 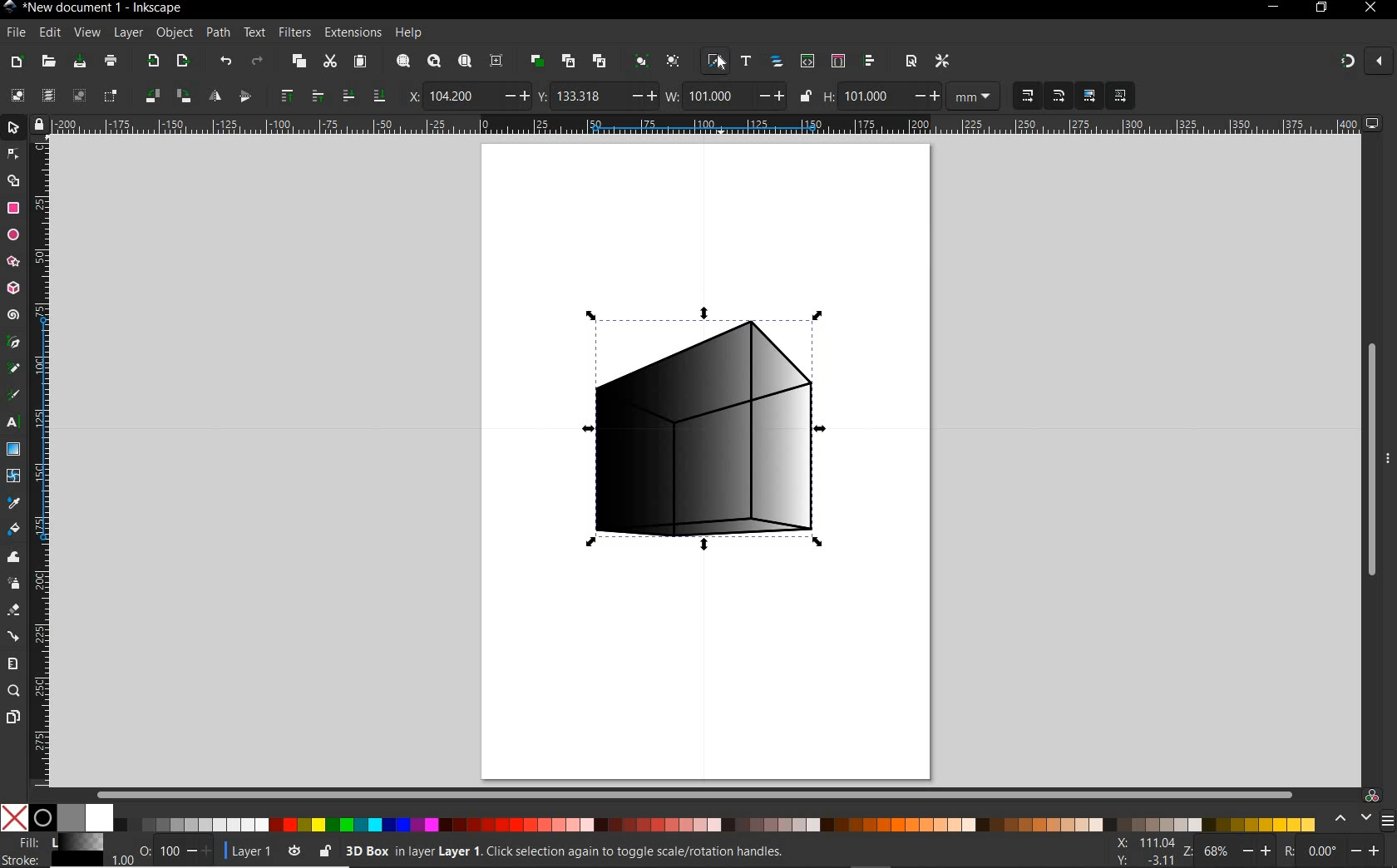 I want to click on menu, so click(x=1388, y=820).